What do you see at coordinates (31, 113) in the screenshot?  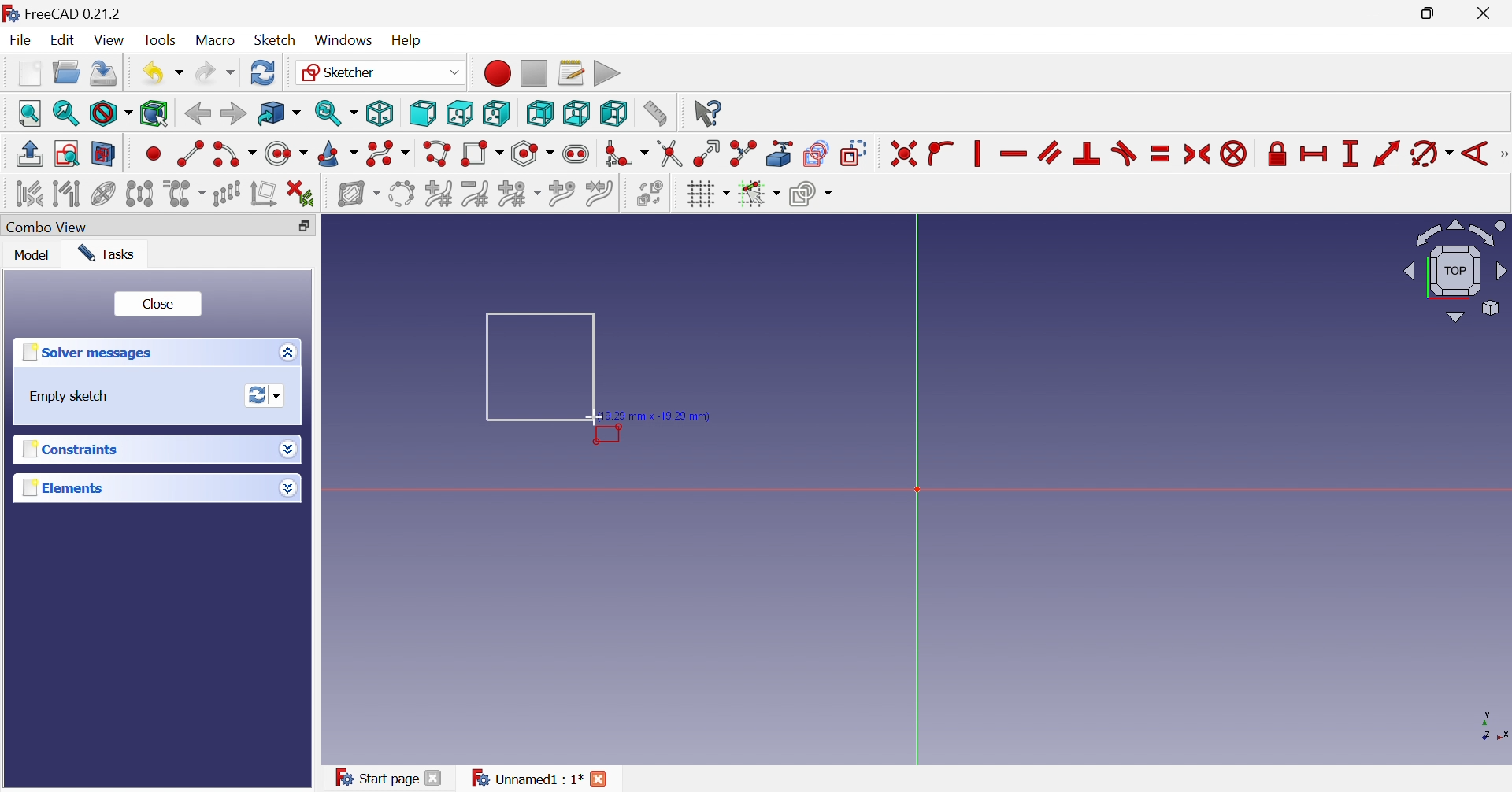 I see `Fit all` at bounding box center [31, 113].